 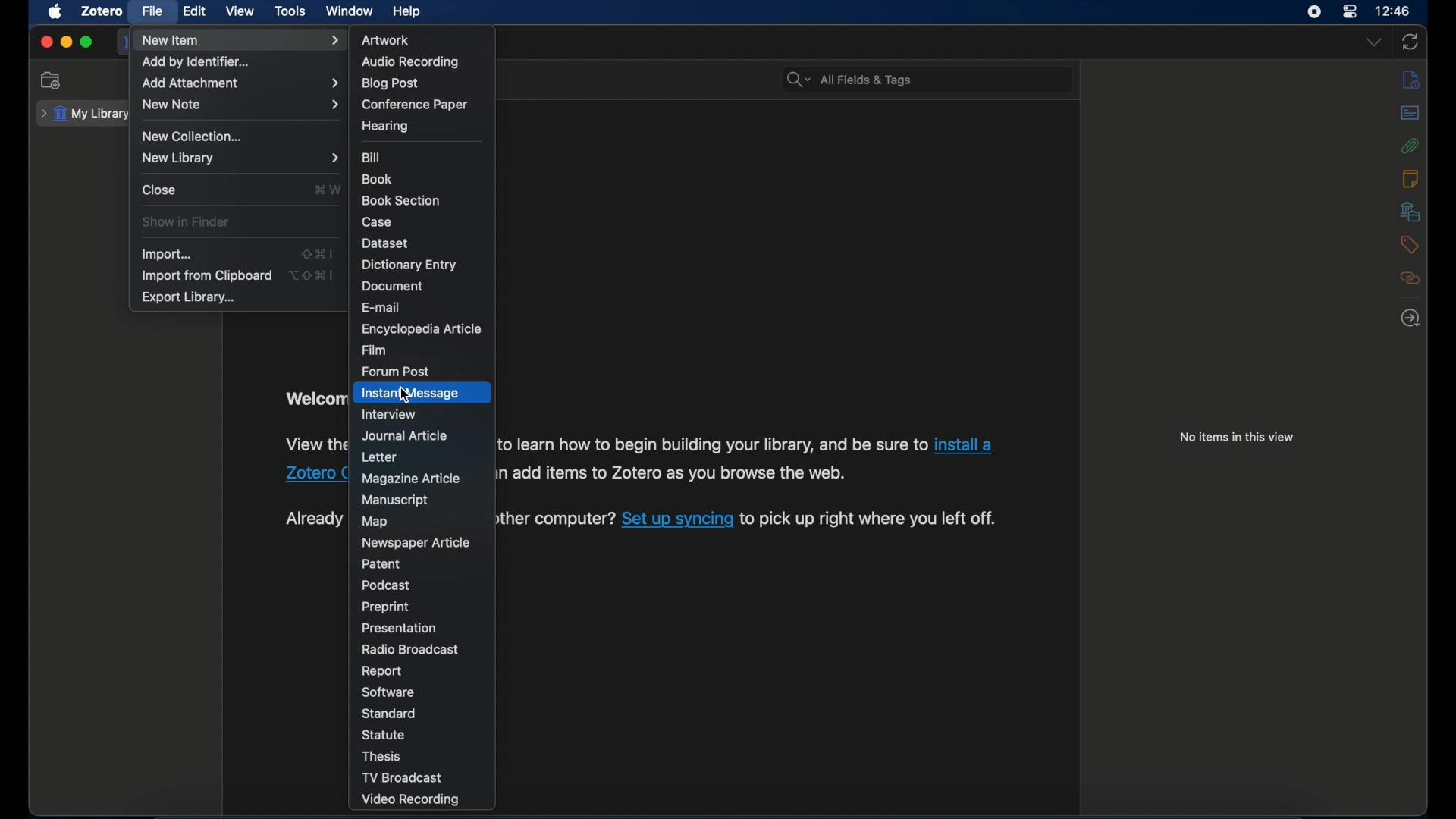 I want to click on hearing, so click(x=385, y=127).